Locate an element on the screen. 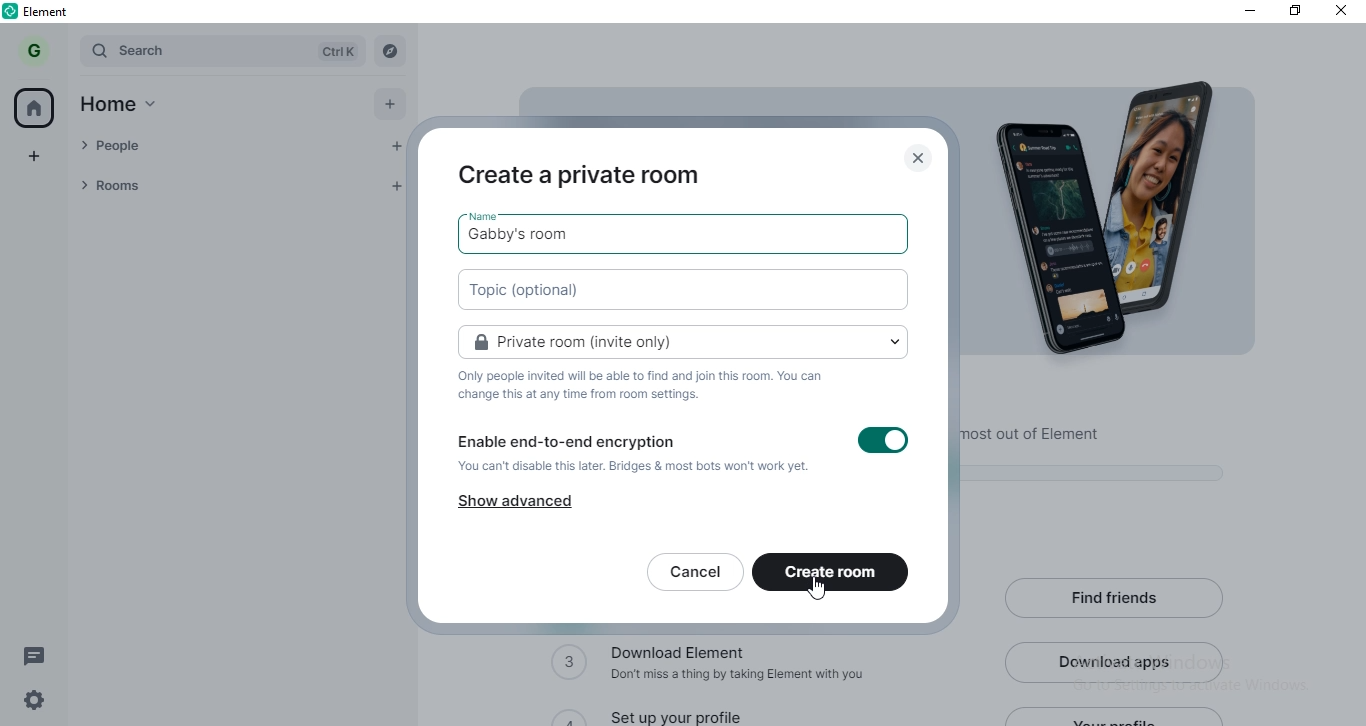 Image resolution: width=1366 pixels, height=726 pixels. find friends is located at coordinates (1118, 596).